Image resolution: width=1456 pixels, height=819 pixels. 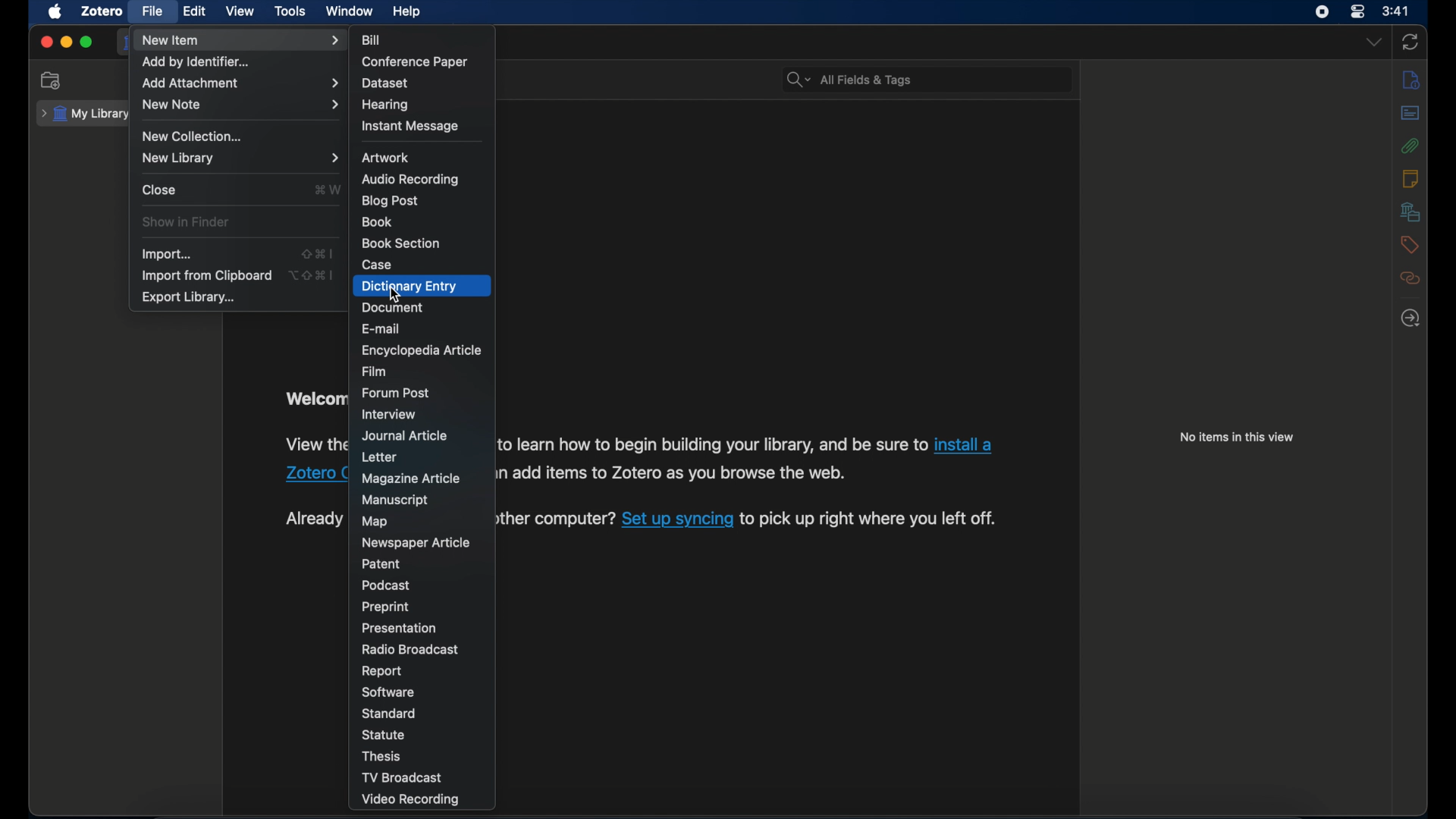 I want to click on interview, so click(x=388, y=414).